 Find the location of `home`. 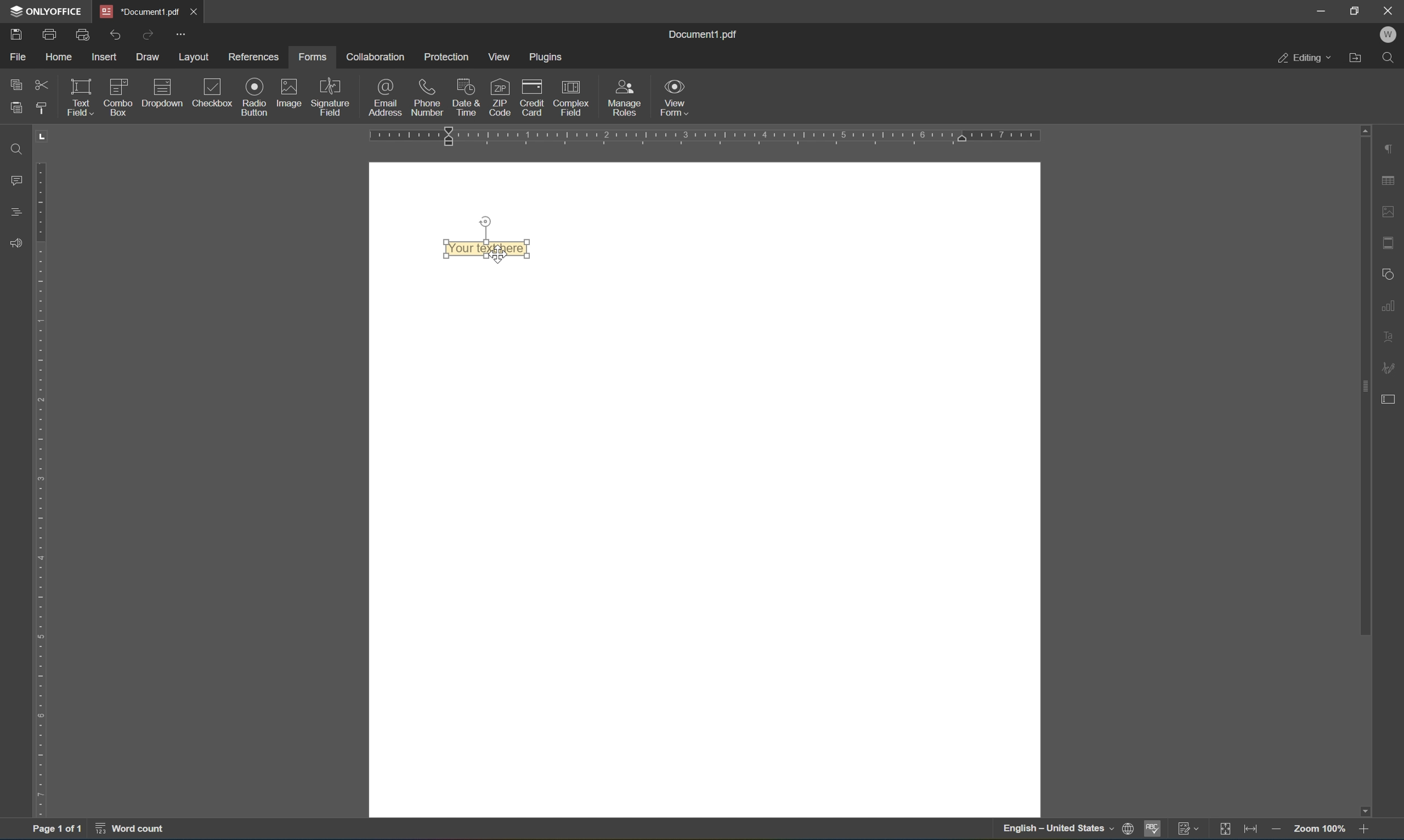

home is located at coordinates (60, 55).